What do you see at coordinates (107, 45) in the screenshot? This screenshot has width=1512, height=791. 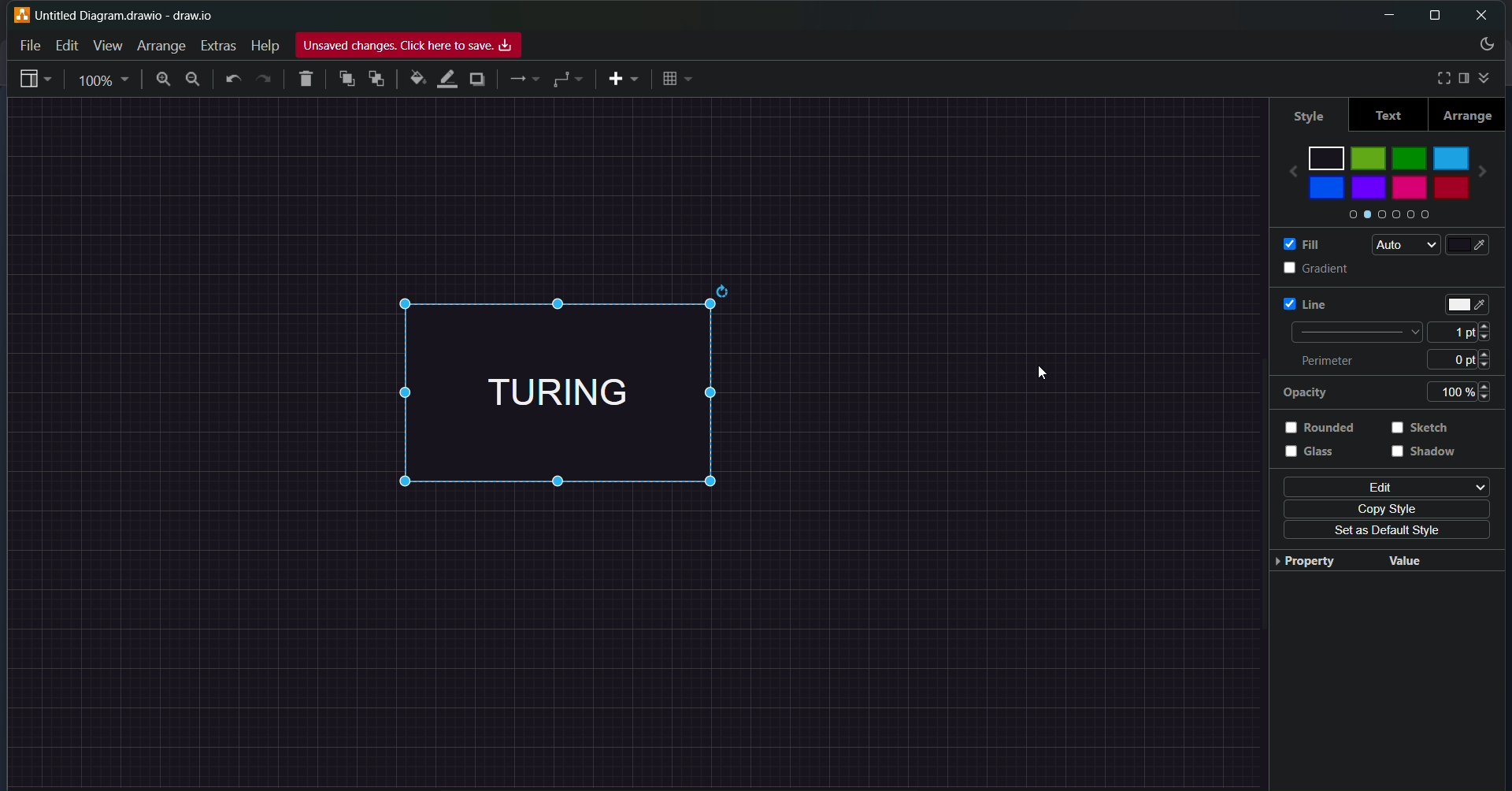 I see `View` at bounding box center [107, 45].